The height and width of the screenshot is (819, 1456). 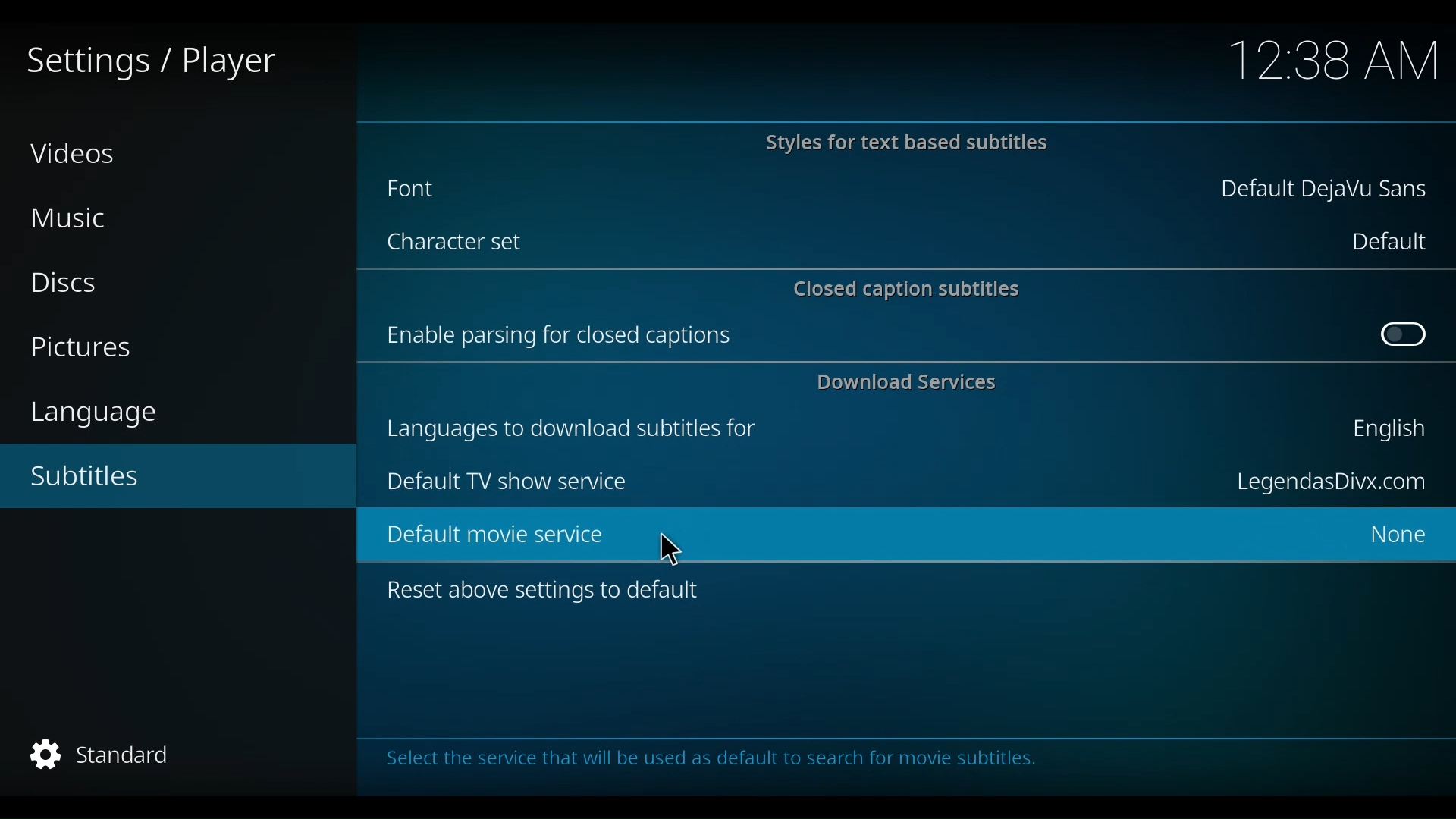 I want to click on Default TV Show service, so click(x=506, y=482).